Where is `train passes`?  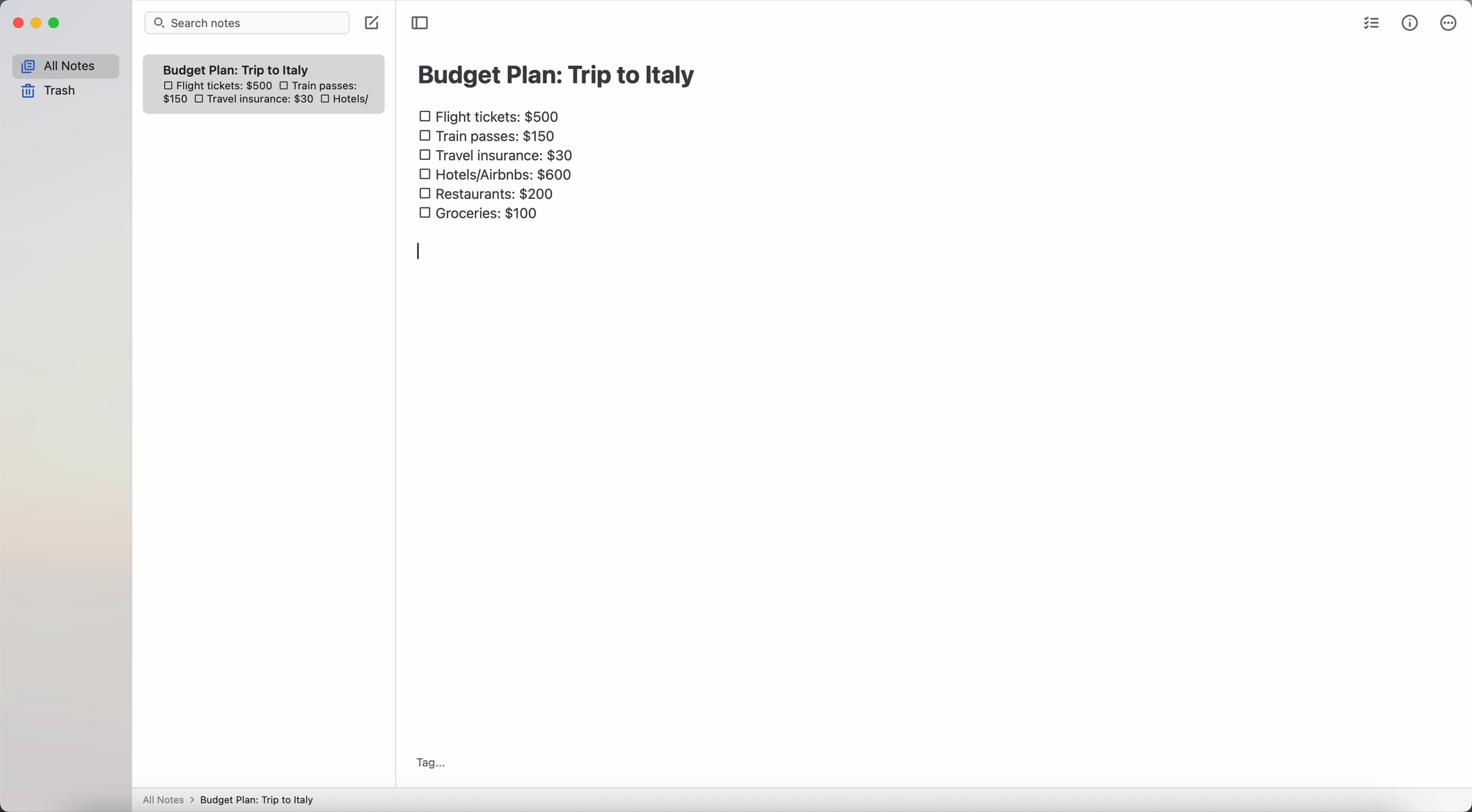
train passes is located at coordinates (326, 84).